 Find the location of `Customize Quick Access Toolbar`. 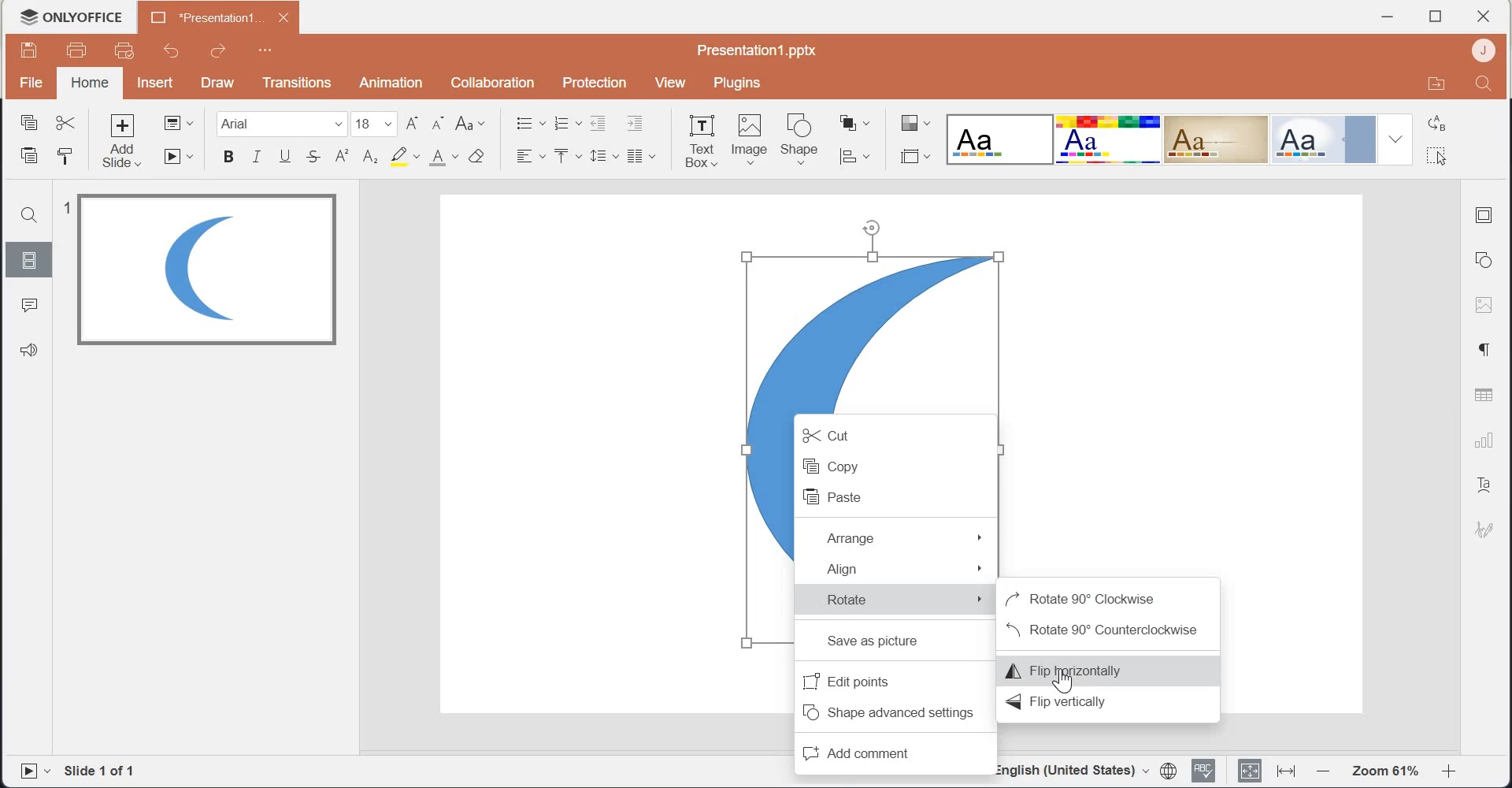

Customize Quick Access Toolbar is located at coordinates (262, 50).